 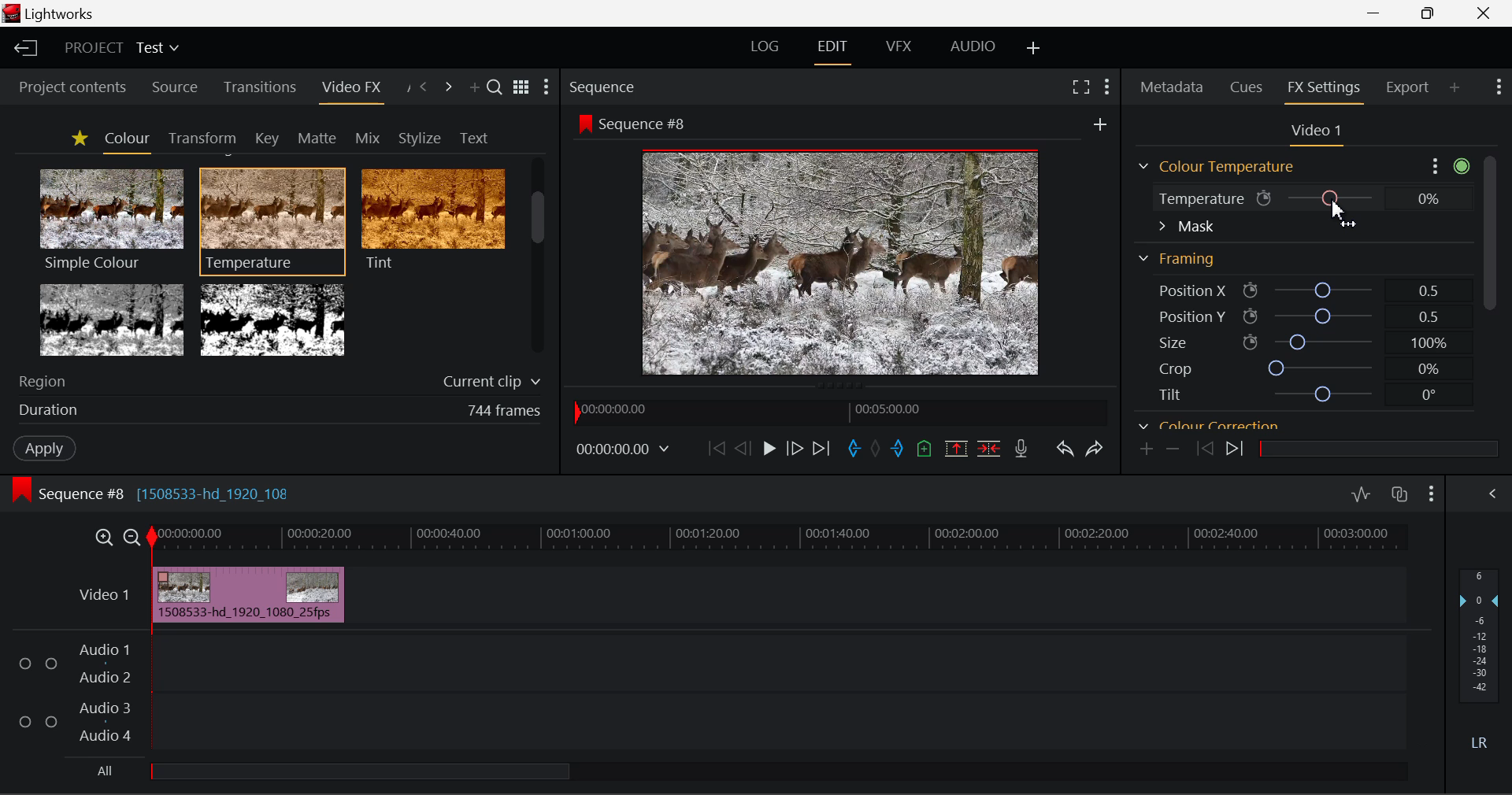 What do you see at coordinates (584, 124) in the screenshot?
I see `icon` at bounding box center [584, 124].